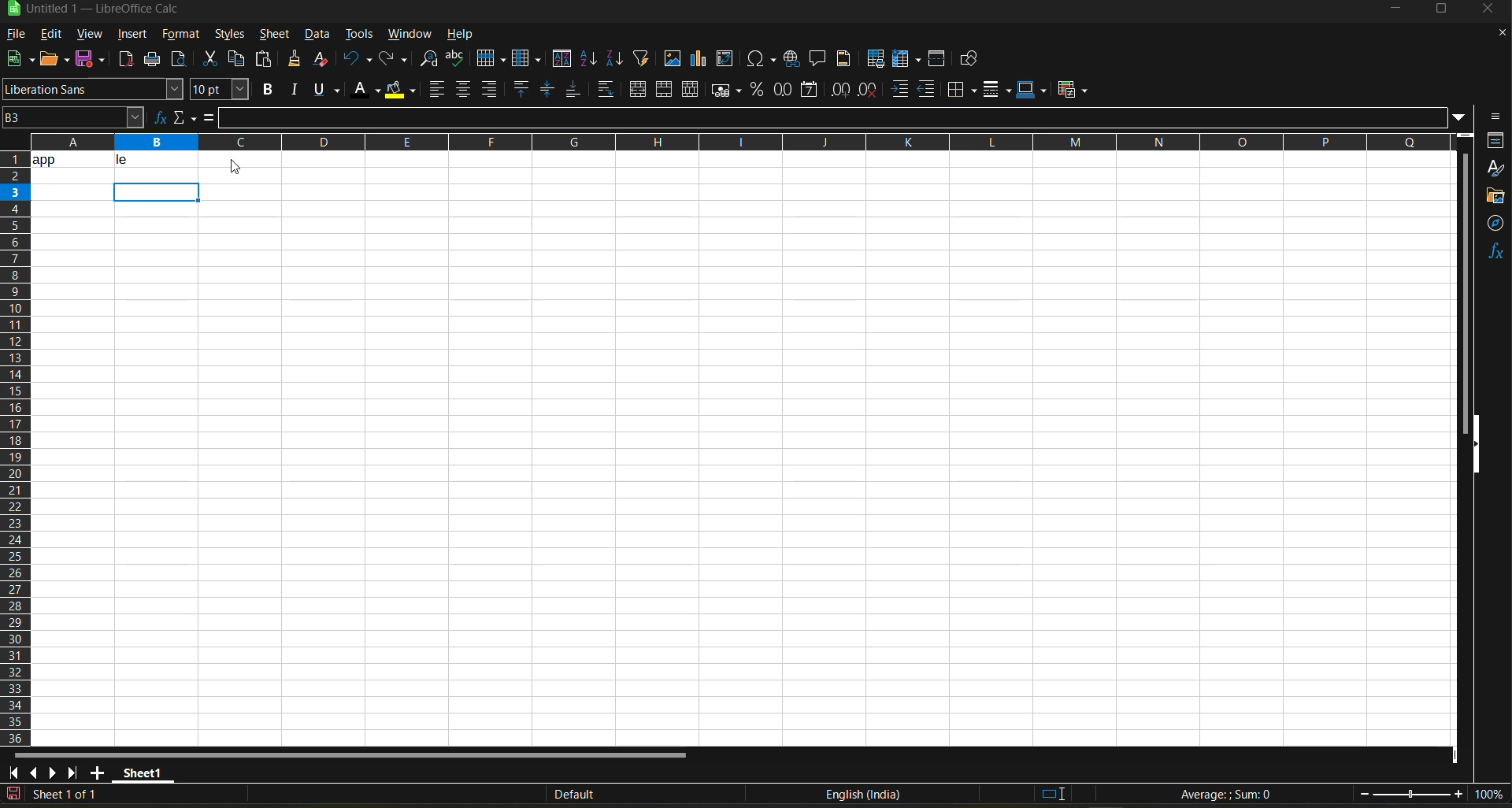  Describe the element at coordinates (324, 58) in the screenshot. I see `clear direct formatting` at that location.